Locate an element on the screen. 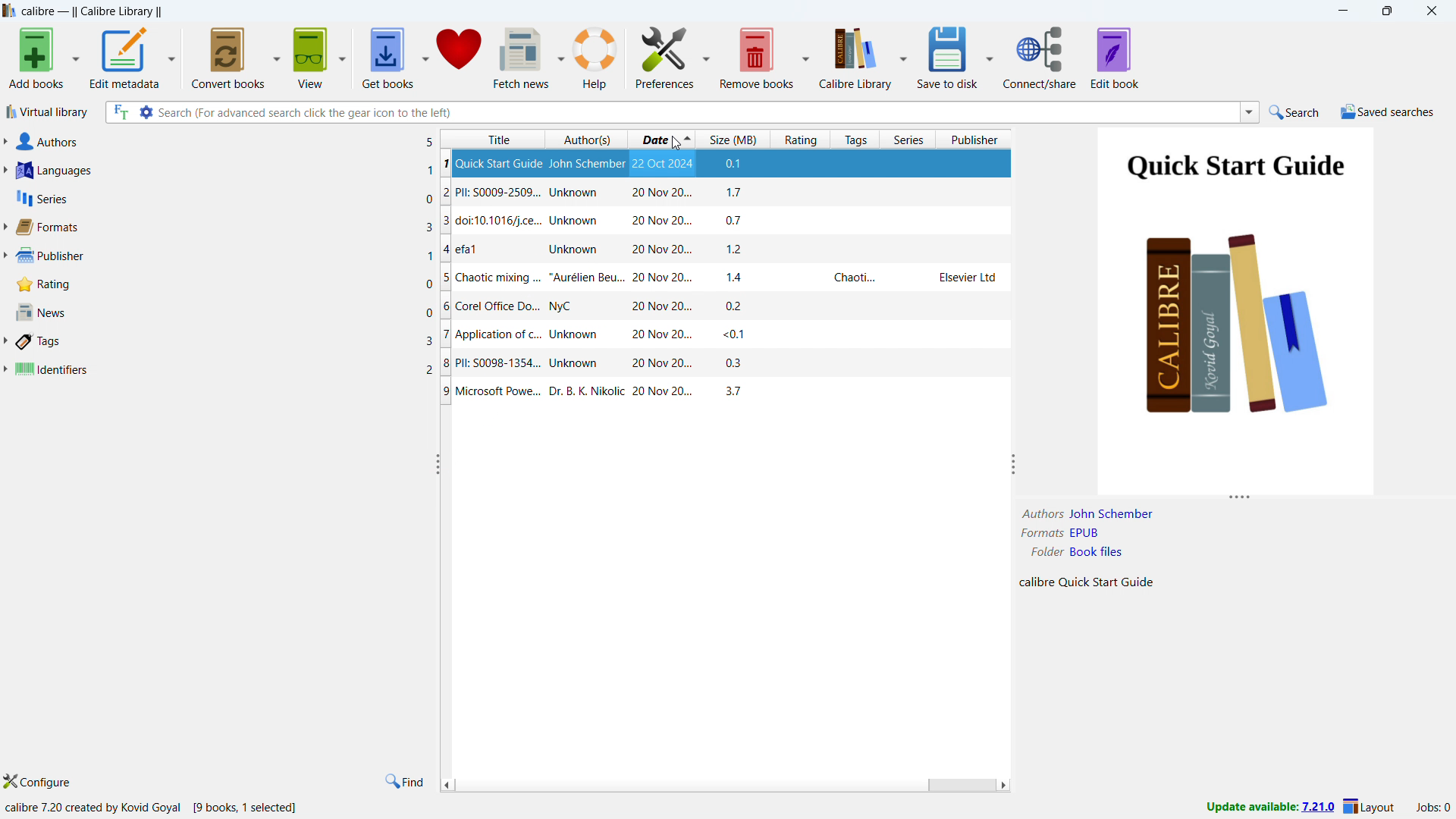 Image resolution: width=1456 pixels, height=819 pixels. calibre-| Calibre Library is located at coordinates (91, 12).